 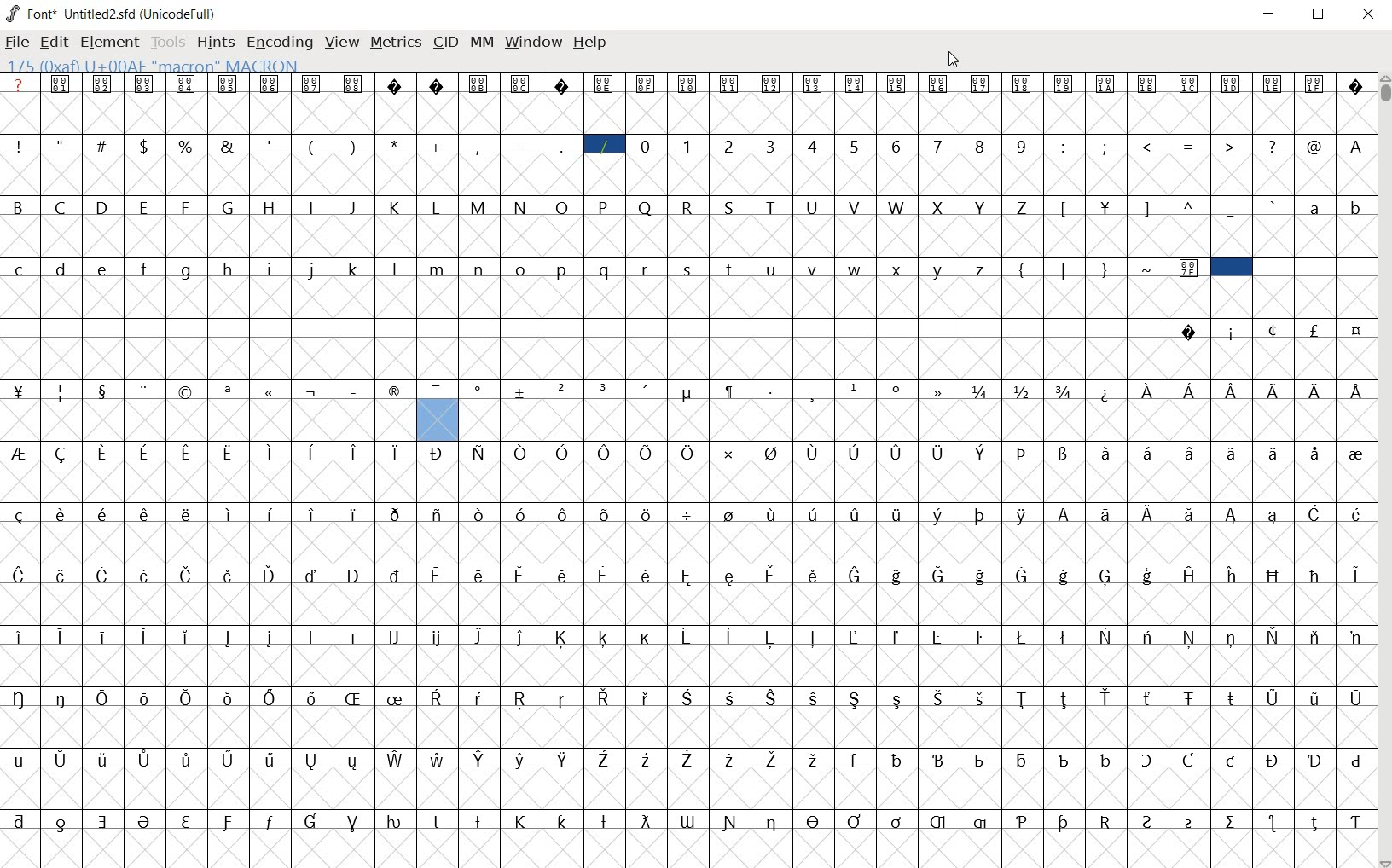 I want to click on Symbol, so click(x=397, y=759).